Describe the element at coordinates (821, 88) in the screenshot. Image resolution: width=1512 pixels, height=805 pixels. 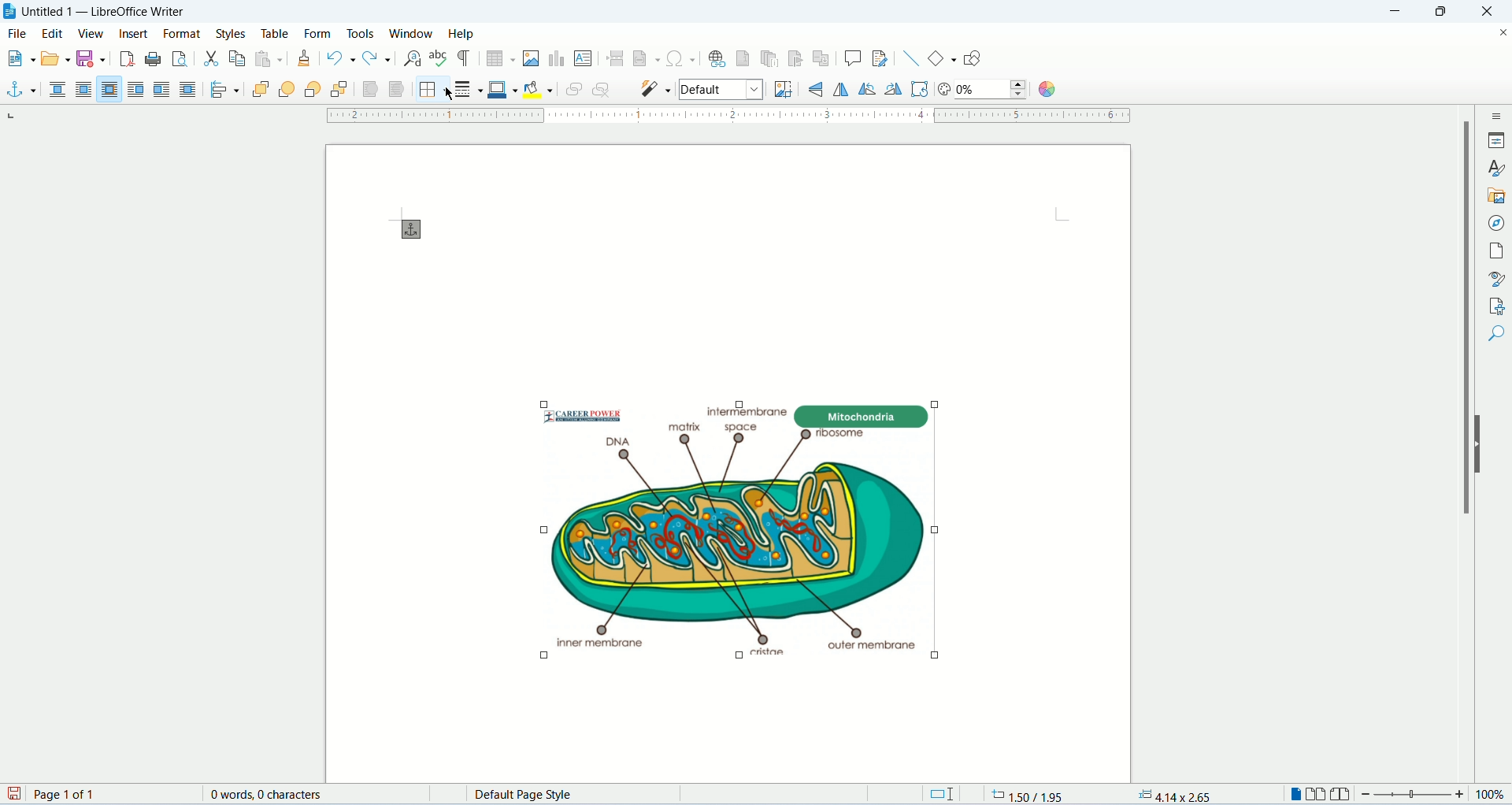
I see `flip horizontally` at that location.